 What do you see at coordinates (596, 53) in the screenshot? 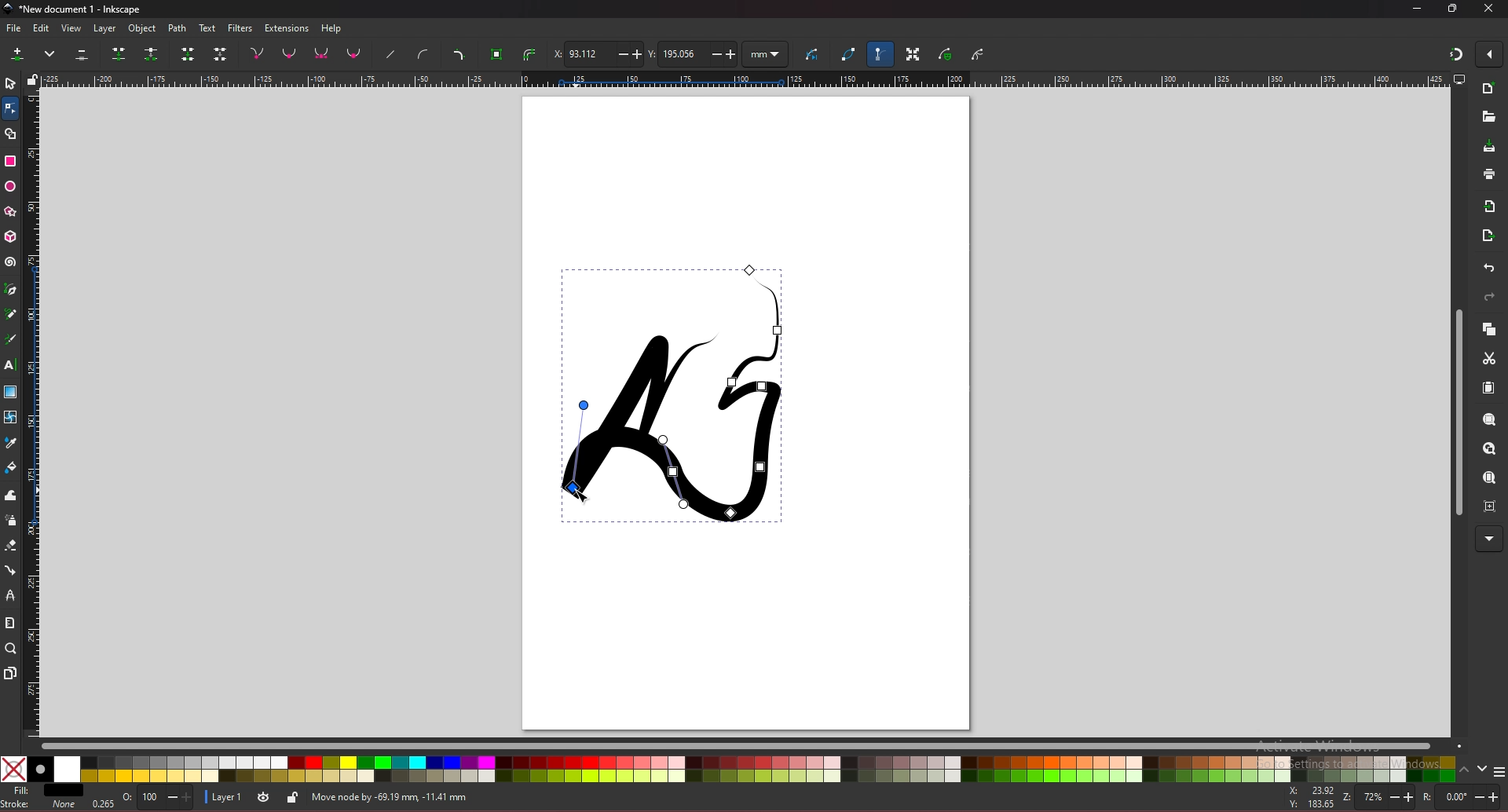
I see `x coordinate` at bounding box center [596, 53].